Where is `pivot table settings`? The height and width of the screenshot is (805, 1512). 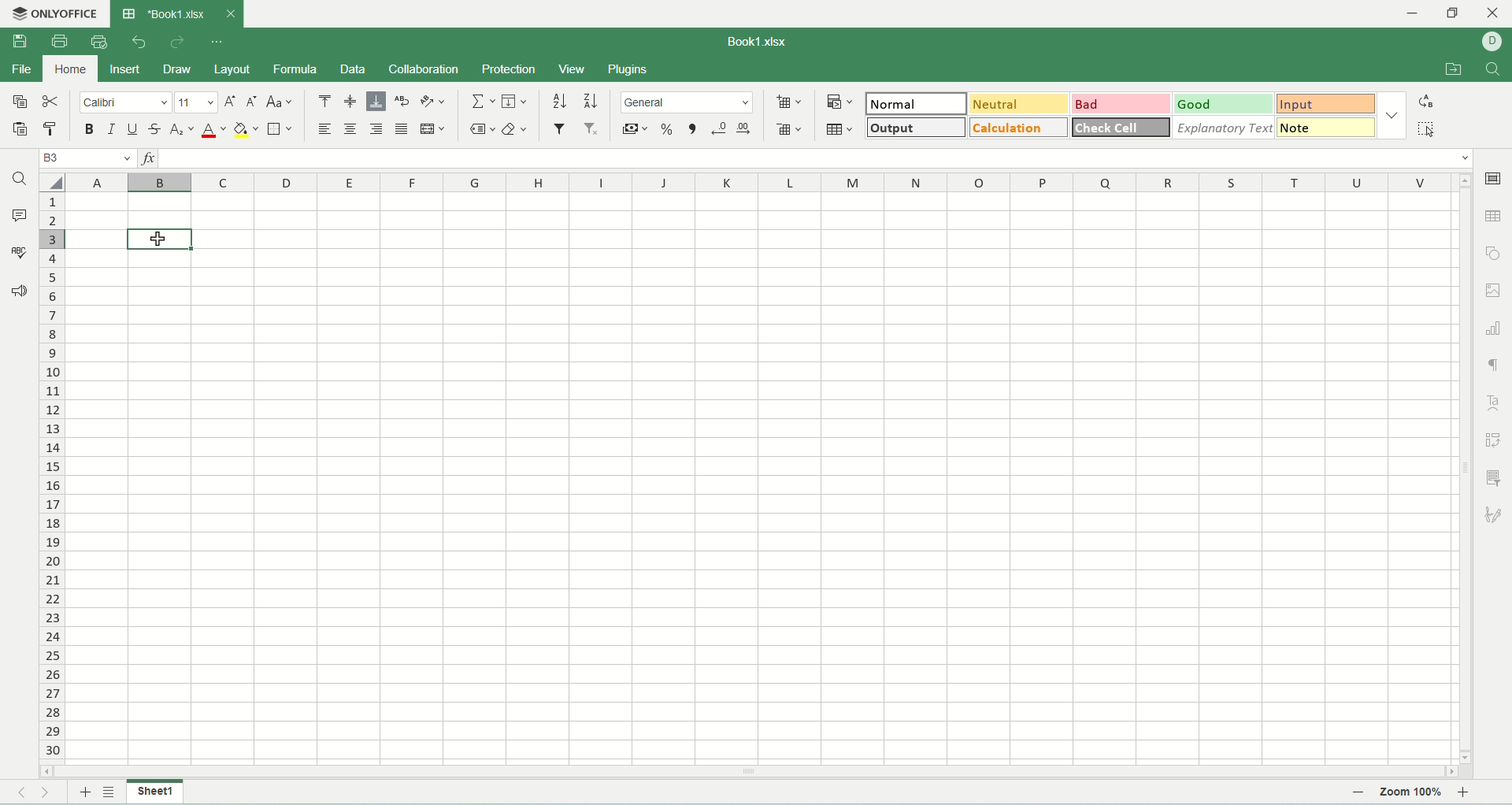 pivot table settings is located at coordinates (1495, 440).